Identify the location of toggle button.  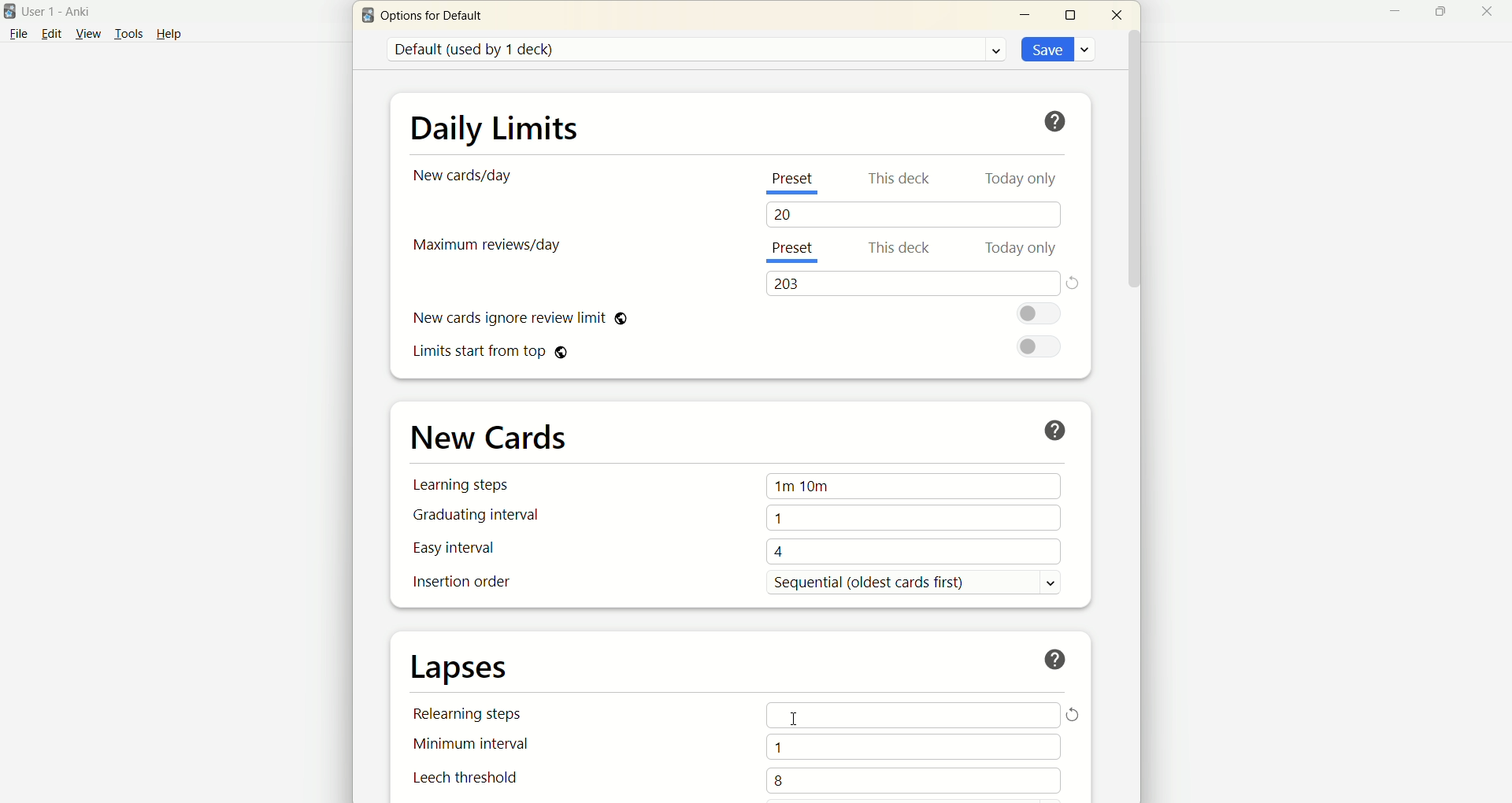
(1042, 315).